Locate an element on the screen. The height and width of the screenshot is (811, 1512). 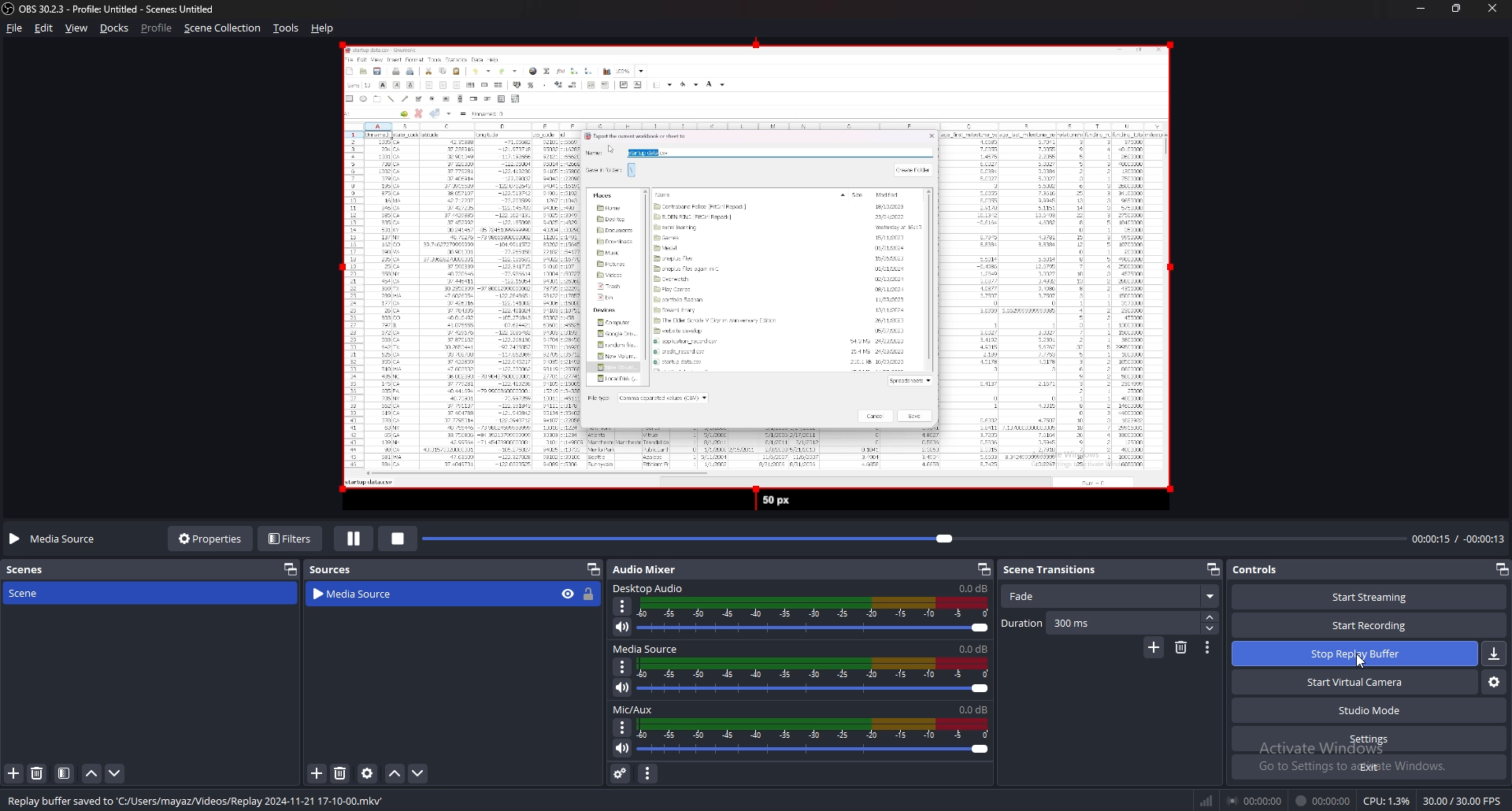
obs logo is located at coordinates (9, 9).